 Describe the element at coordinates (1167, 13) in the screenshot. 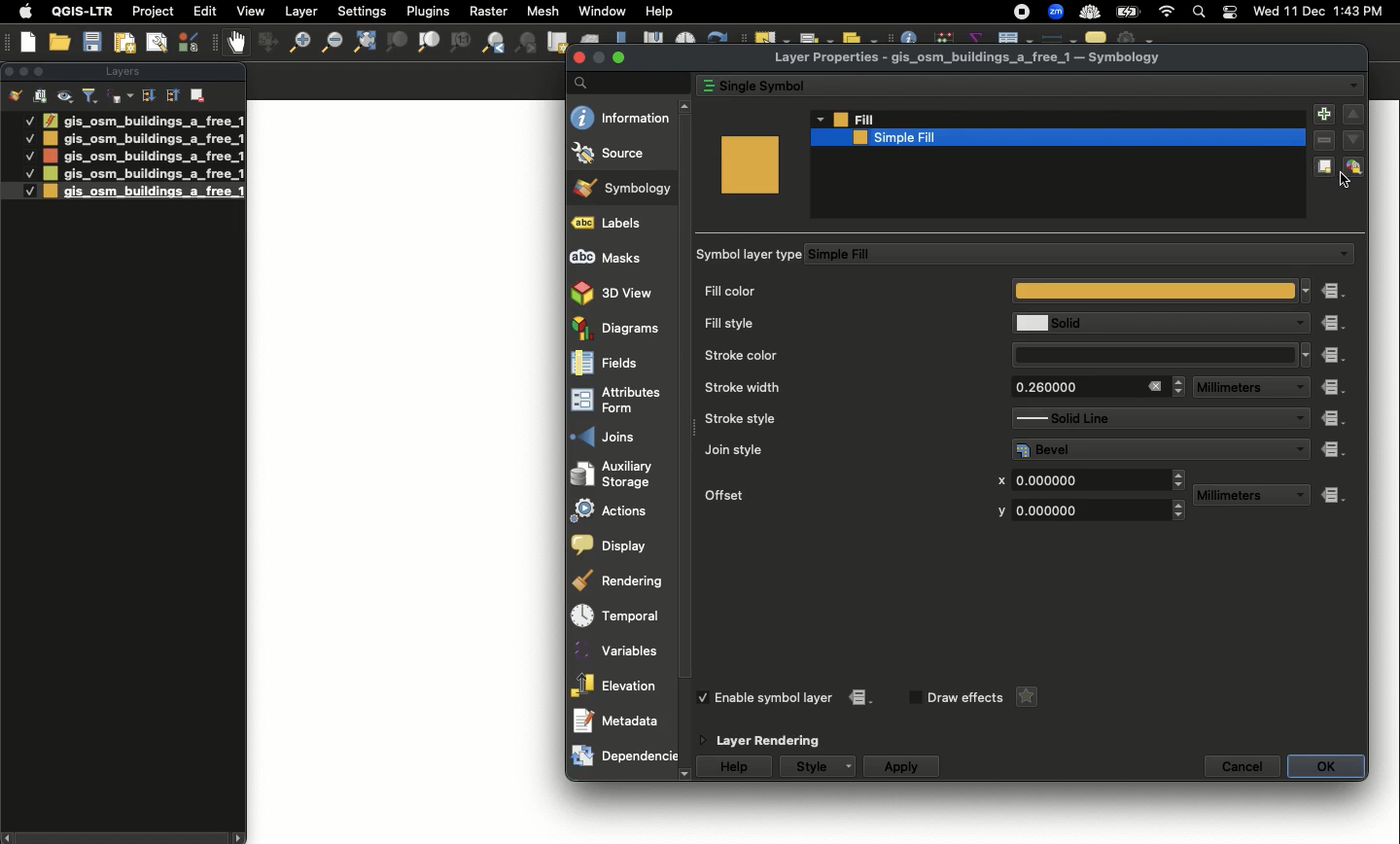

I see `Wif` at that location.